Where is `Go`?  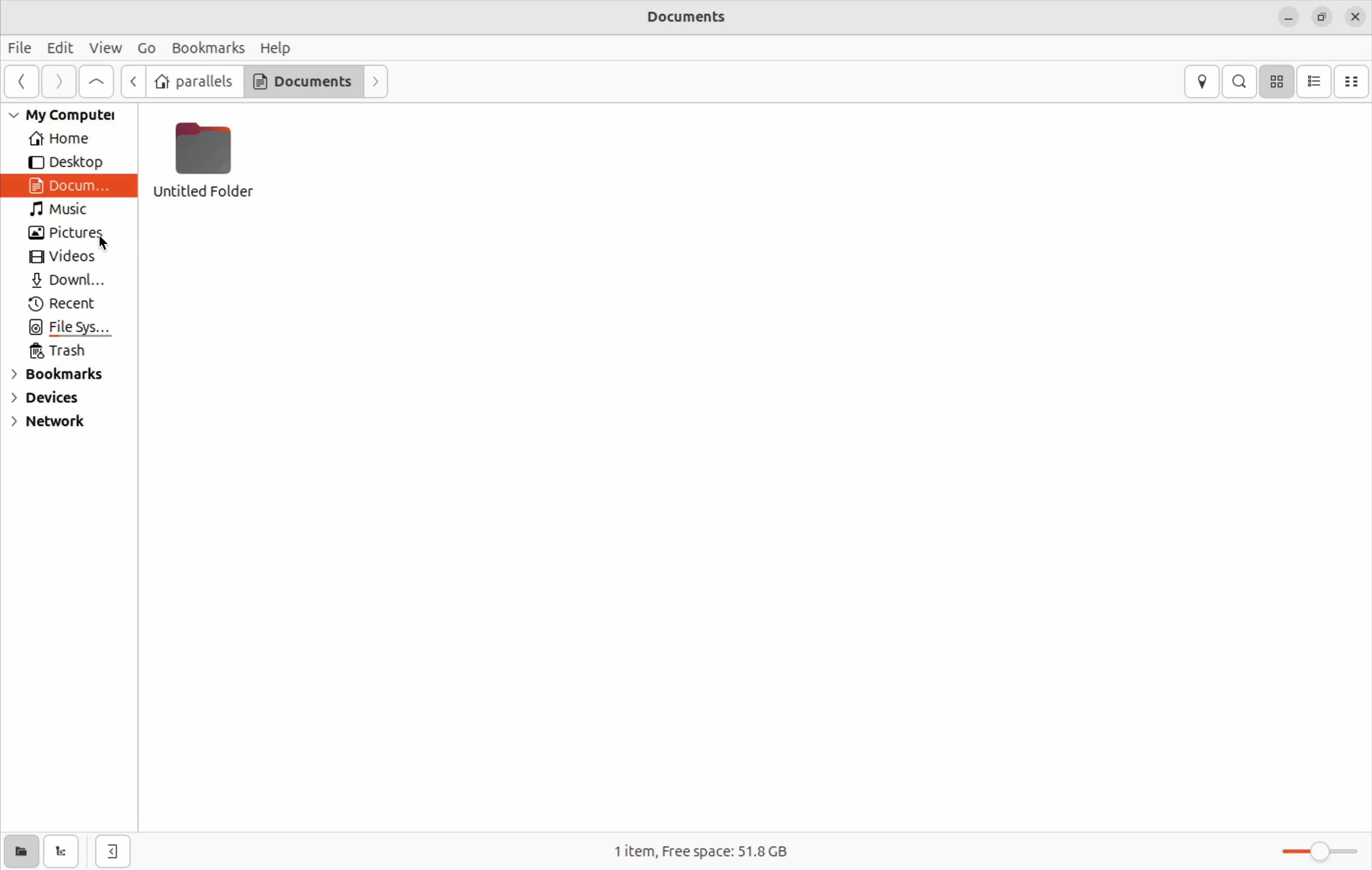
Go is located at coordinates (147, 48).